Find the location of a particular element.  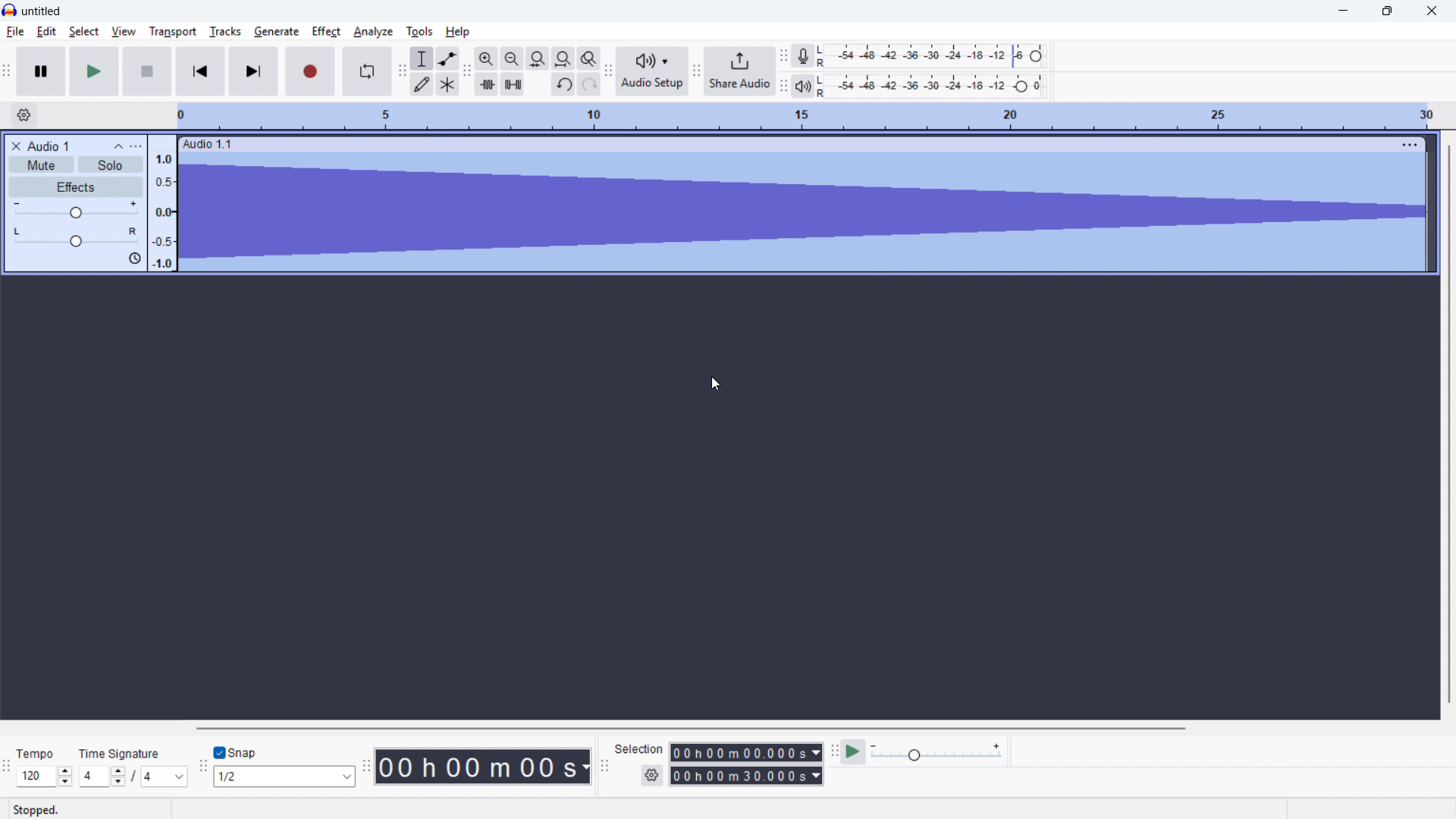

Recording metre toolbar is located at coordinates (783, 55).